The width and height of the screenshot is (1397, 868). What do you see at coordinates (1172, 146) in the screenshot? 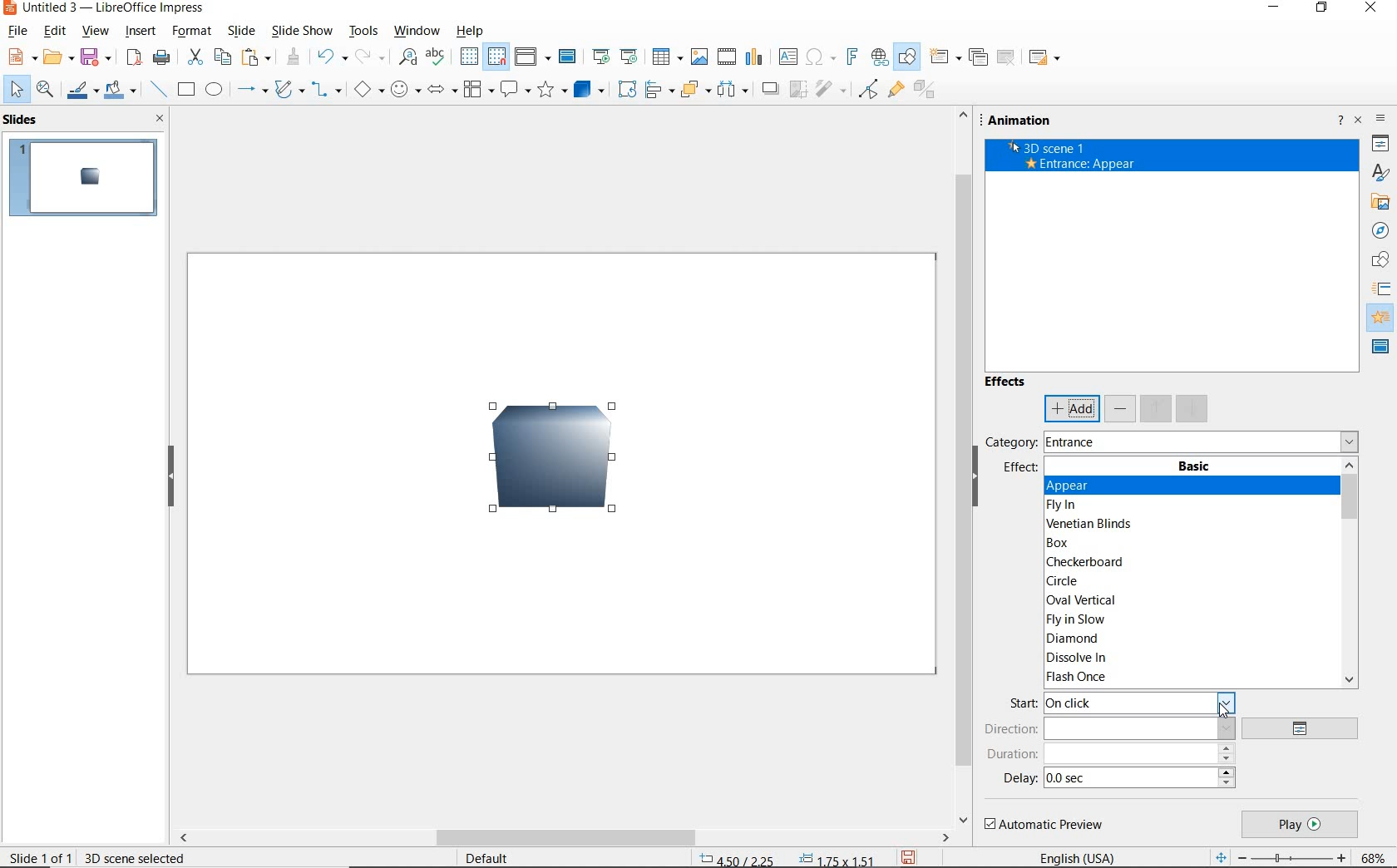
I see `3D Scene 1` at bounding box center [1172, 146].